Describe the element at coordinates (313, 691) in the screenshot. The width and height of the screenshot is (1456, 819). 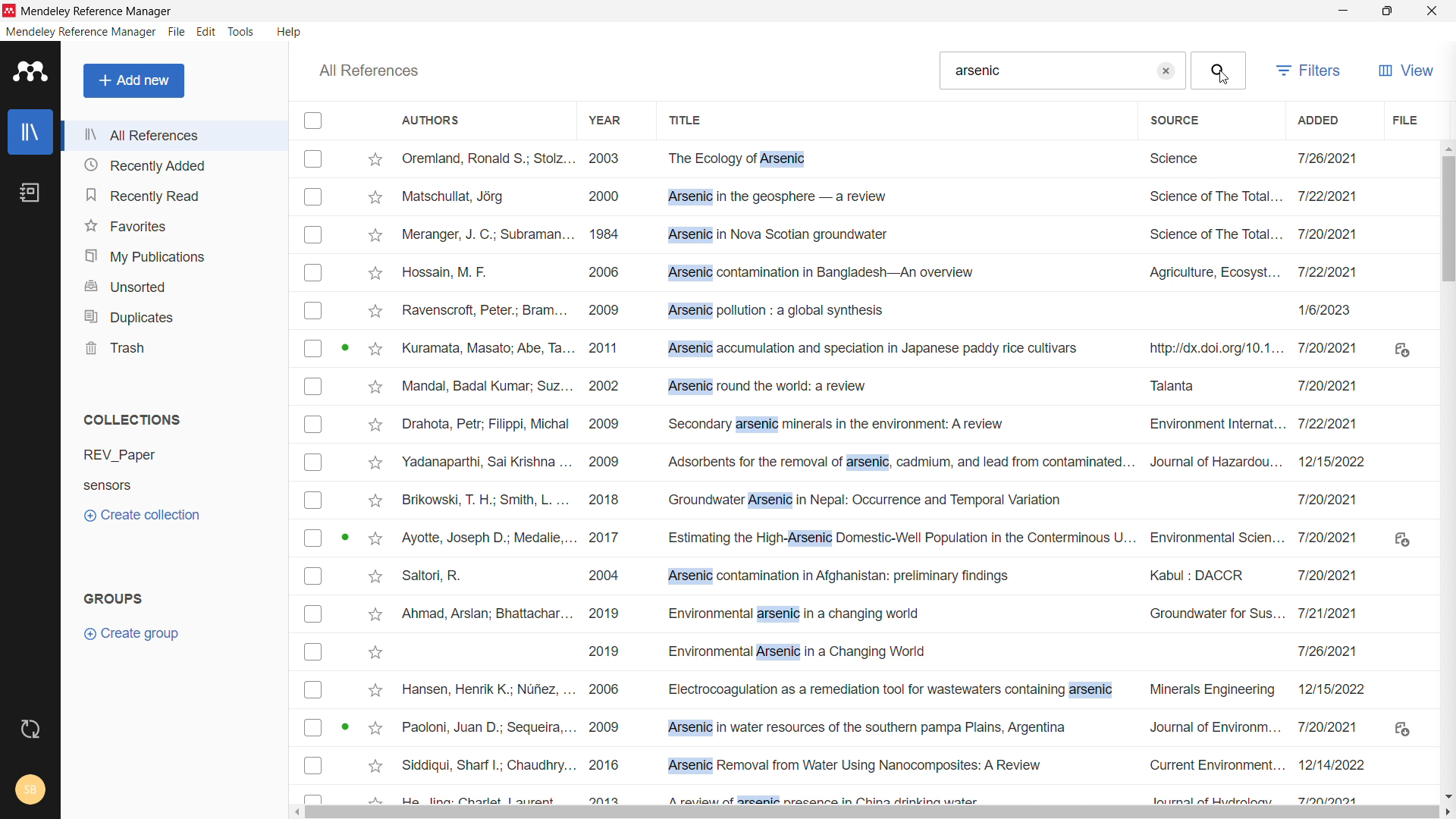
I see `Checkbox` at that location.